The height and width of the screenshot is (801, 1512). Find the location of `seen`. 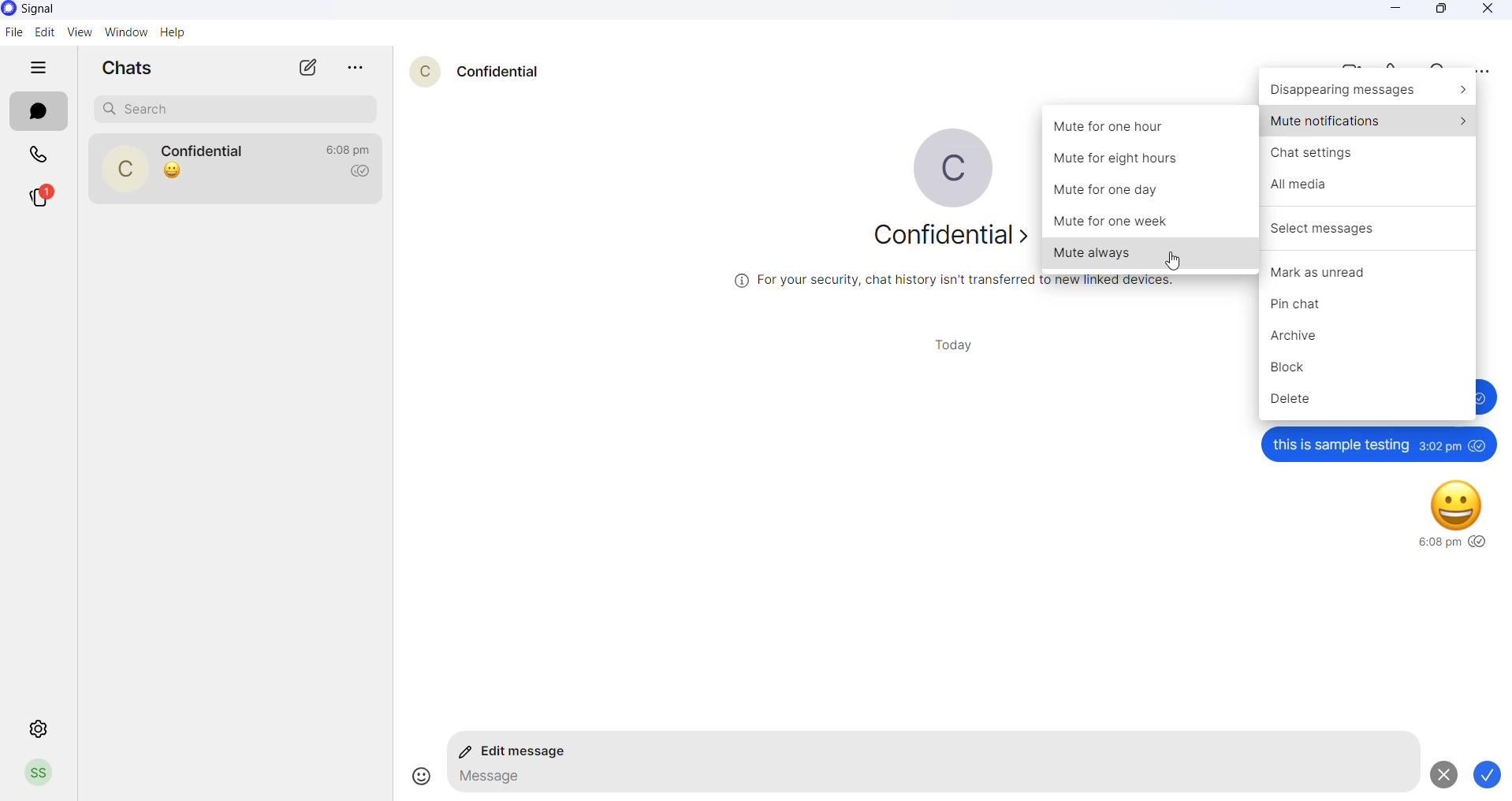

seen is located at coordinates (1479, 445).